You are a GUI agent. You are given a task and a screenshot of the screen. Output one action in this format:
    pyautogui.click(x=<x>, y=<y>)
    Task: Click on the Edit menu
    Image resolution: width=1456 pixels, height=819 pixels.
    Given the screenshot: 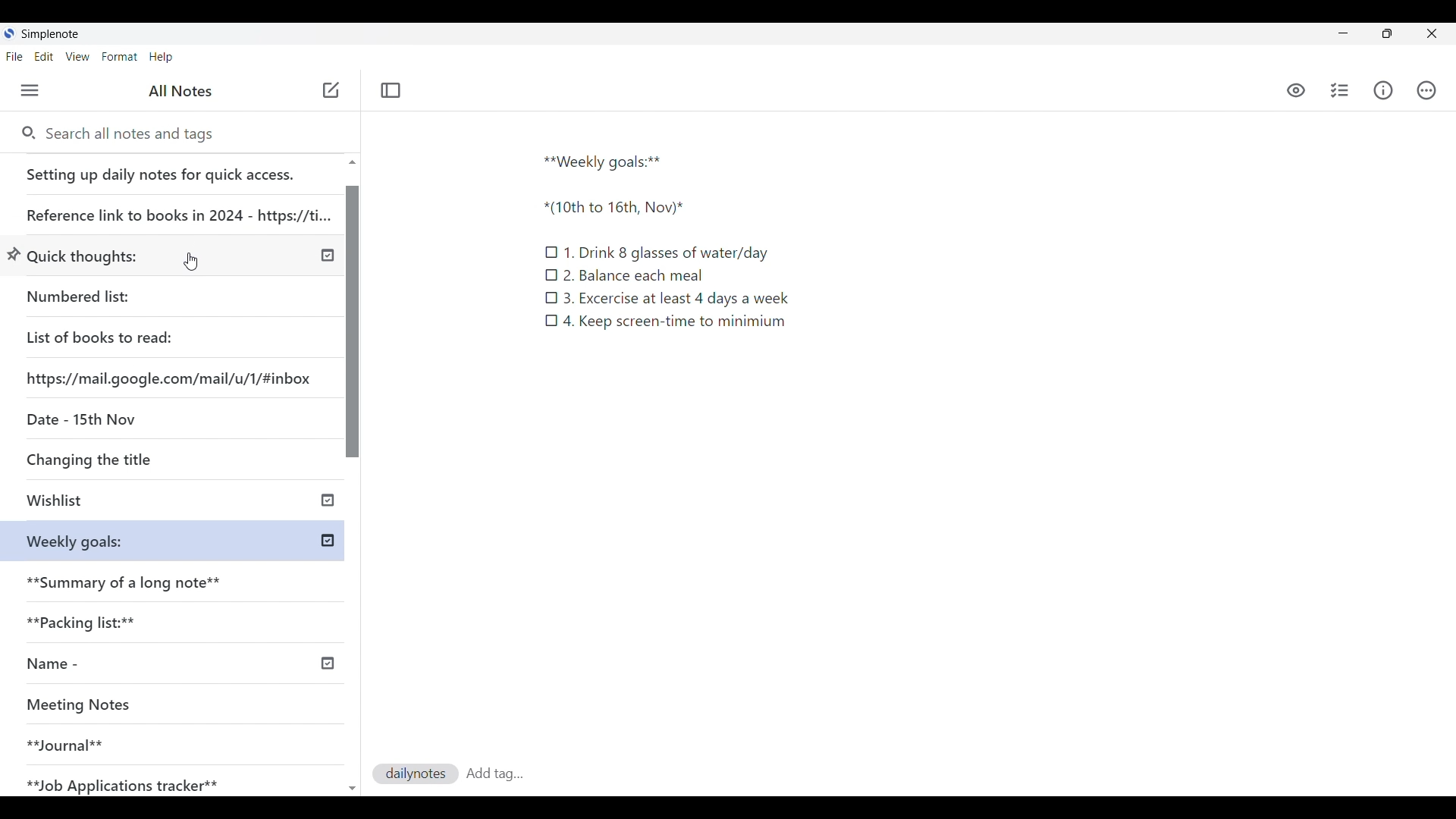 What is the action you would take?
    pyautogui.click(x=44, y=57)
    